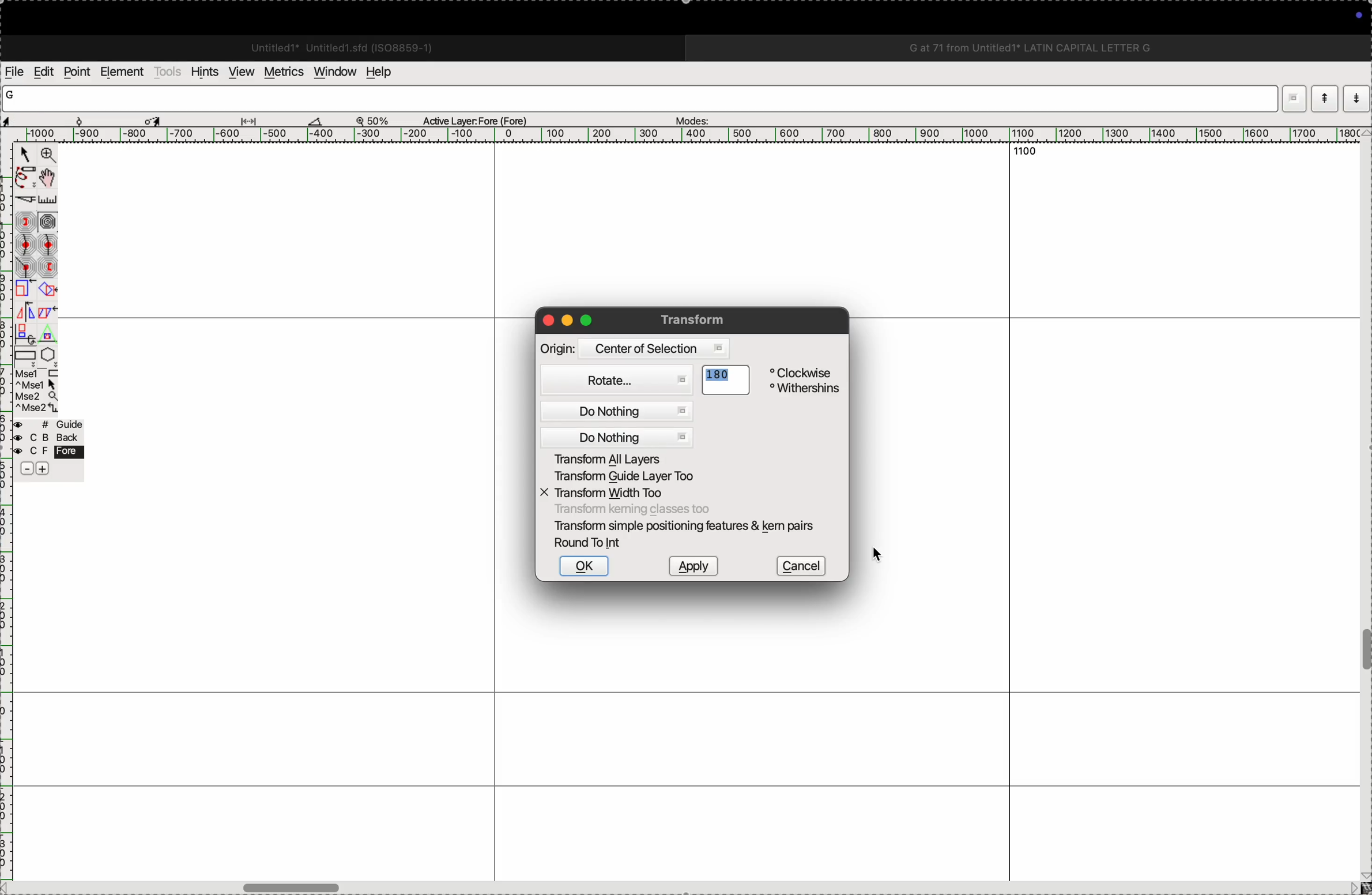  Describe the element at coordinates (693, 119) in the screenshot. I see `modes` at that location.